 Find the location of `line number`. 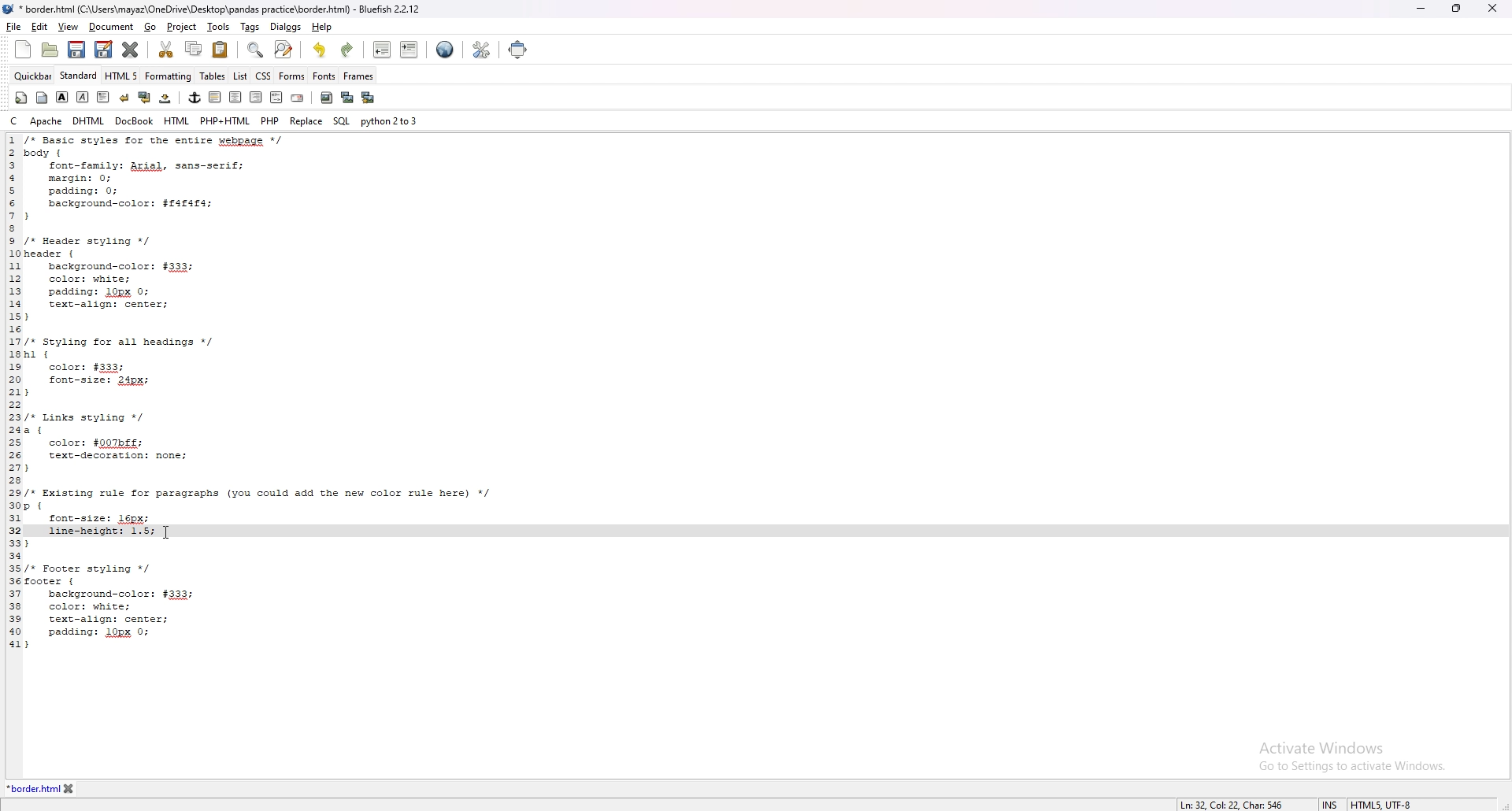

line number is located at coordinates (13, 391).